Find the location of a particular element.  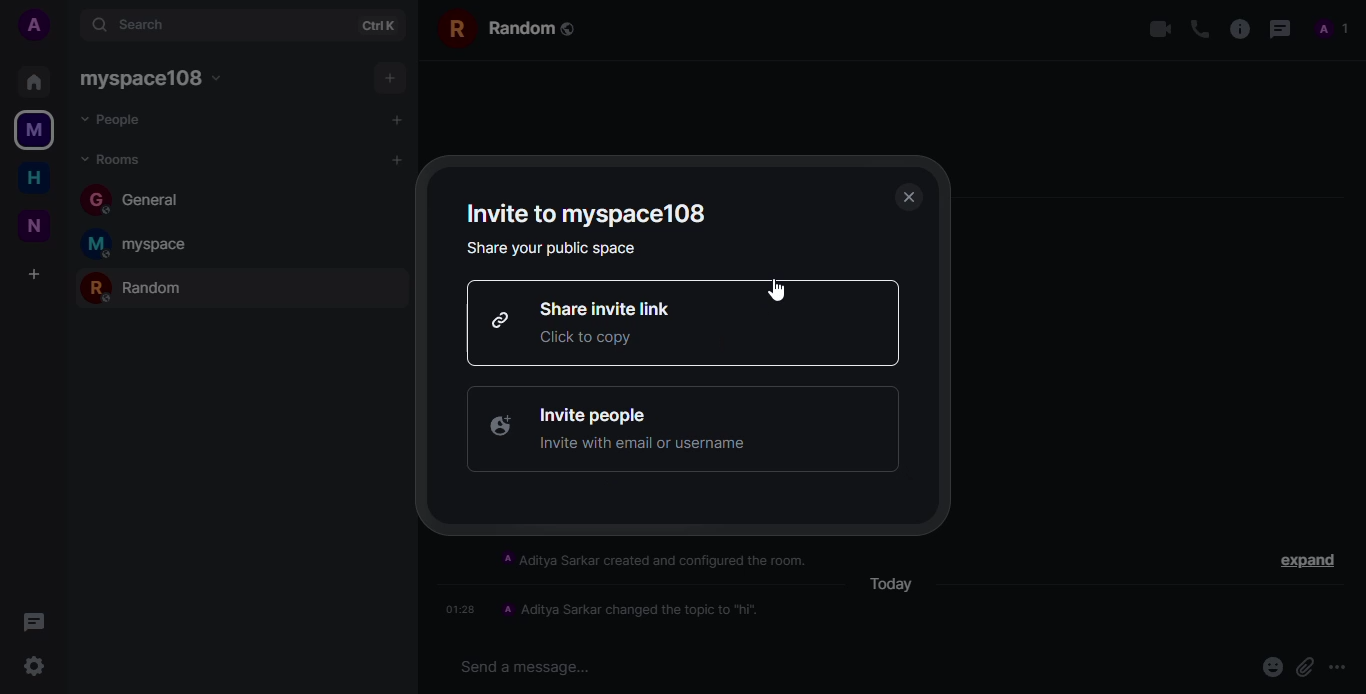

new is located at coordinates (33, 224).